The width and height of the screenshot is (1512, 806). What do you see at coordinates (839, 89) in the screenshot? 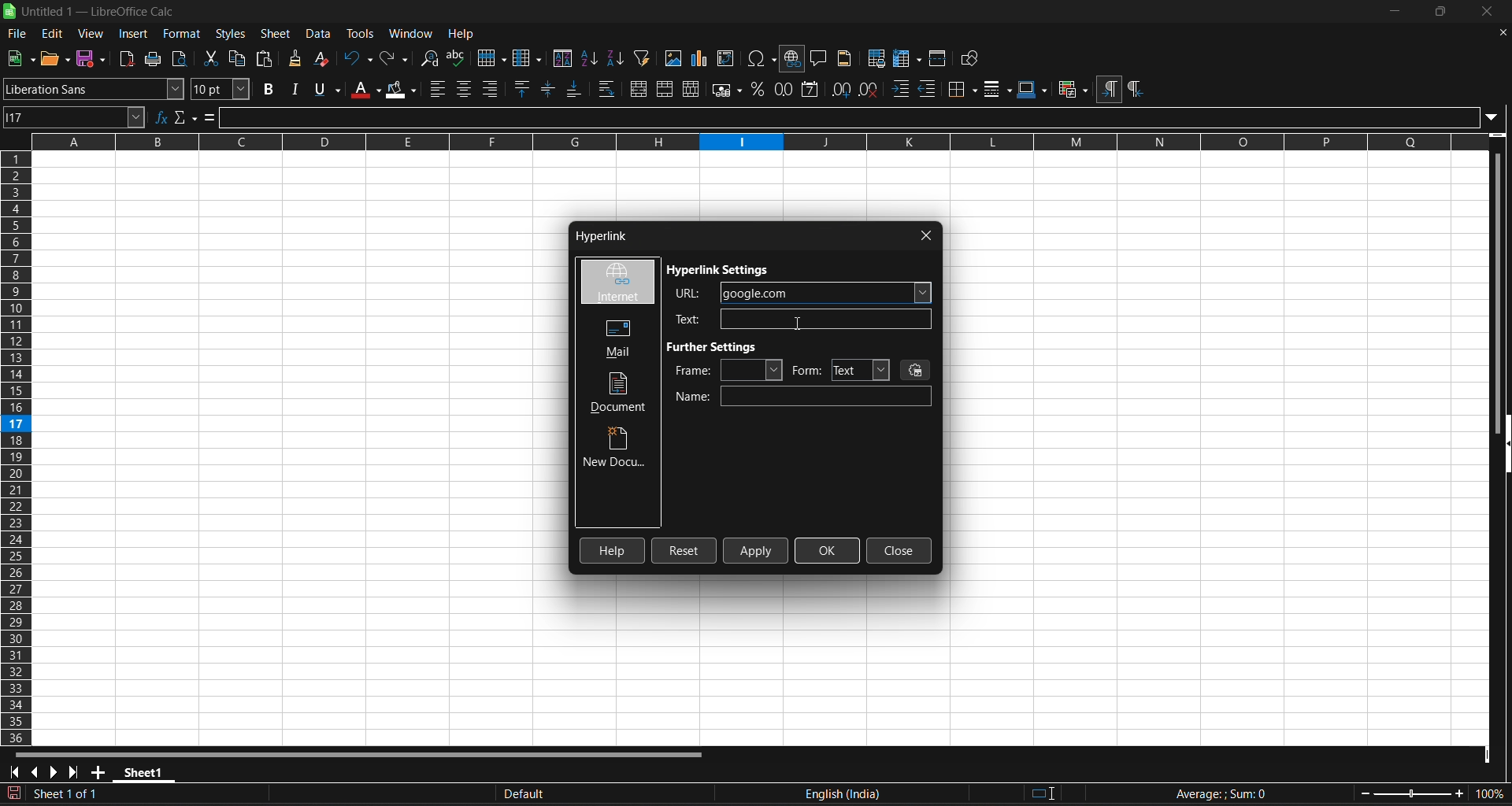
I see `add decimal place` at bounding box center [839, 89].